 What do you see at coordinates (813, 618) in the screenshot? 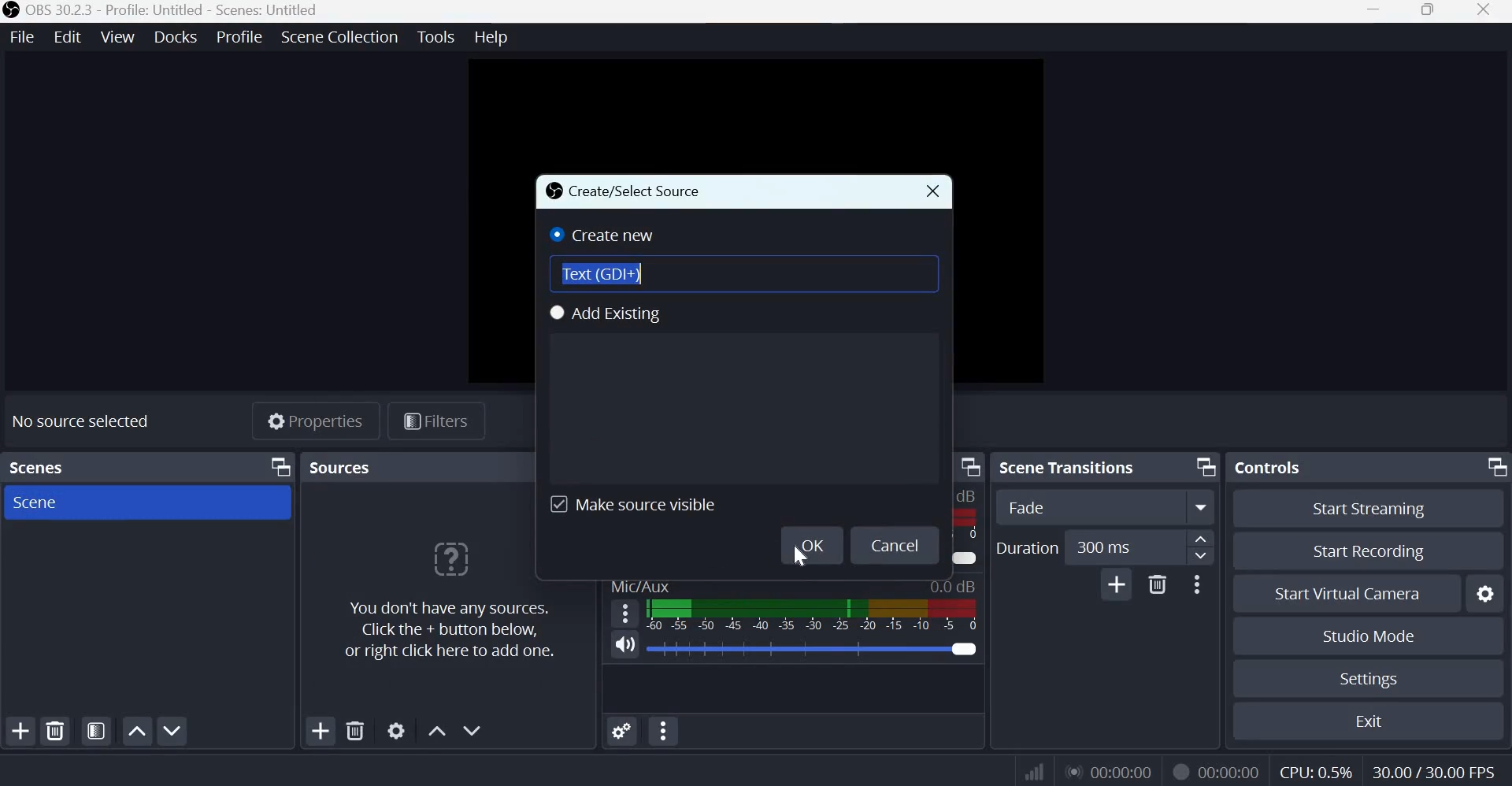
I see `Volume Meter` at bounding box center [813, 618].